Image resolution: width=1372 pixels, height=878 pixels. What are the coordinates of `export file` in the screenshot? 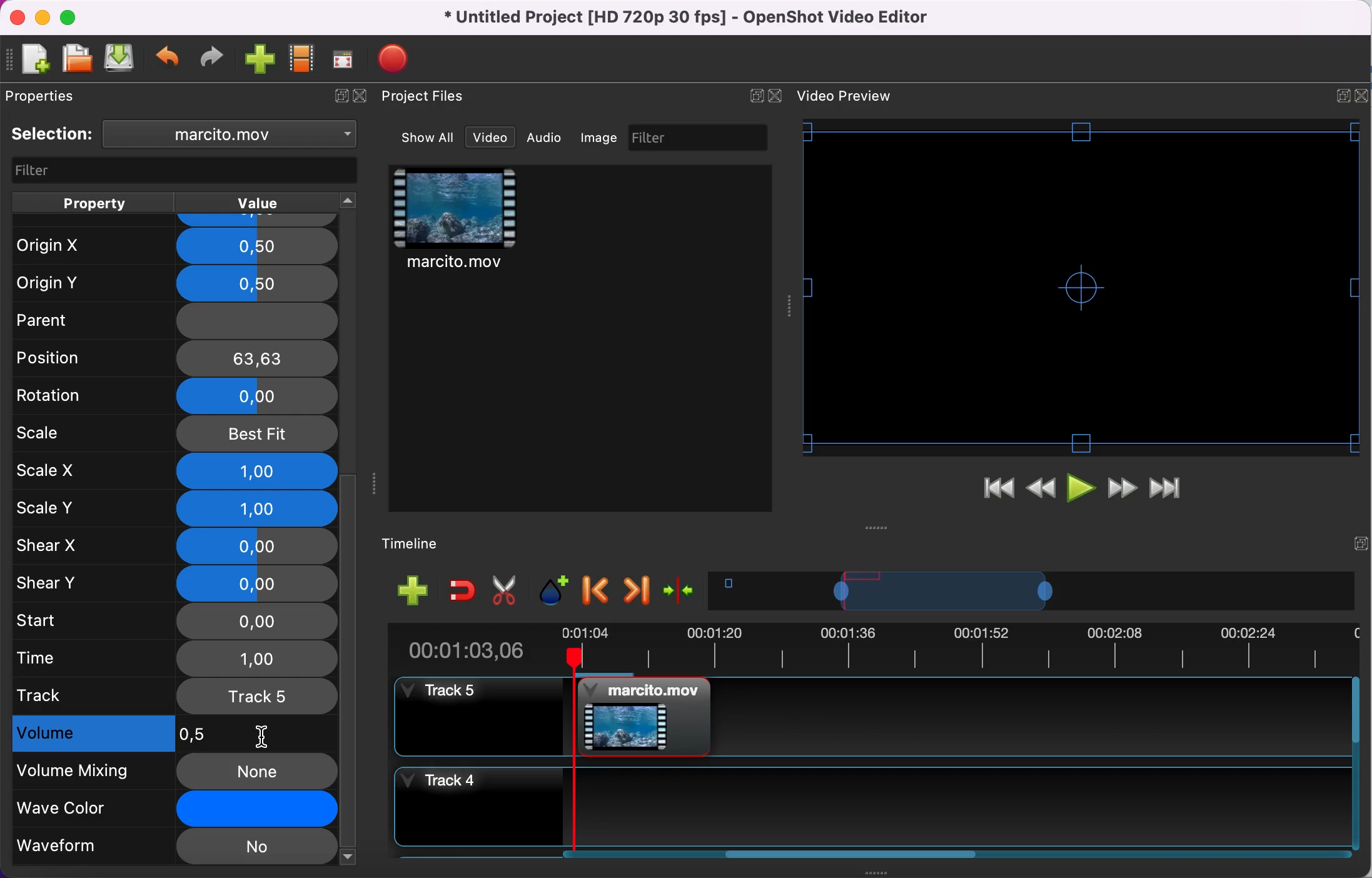 It's located at (400, 59).